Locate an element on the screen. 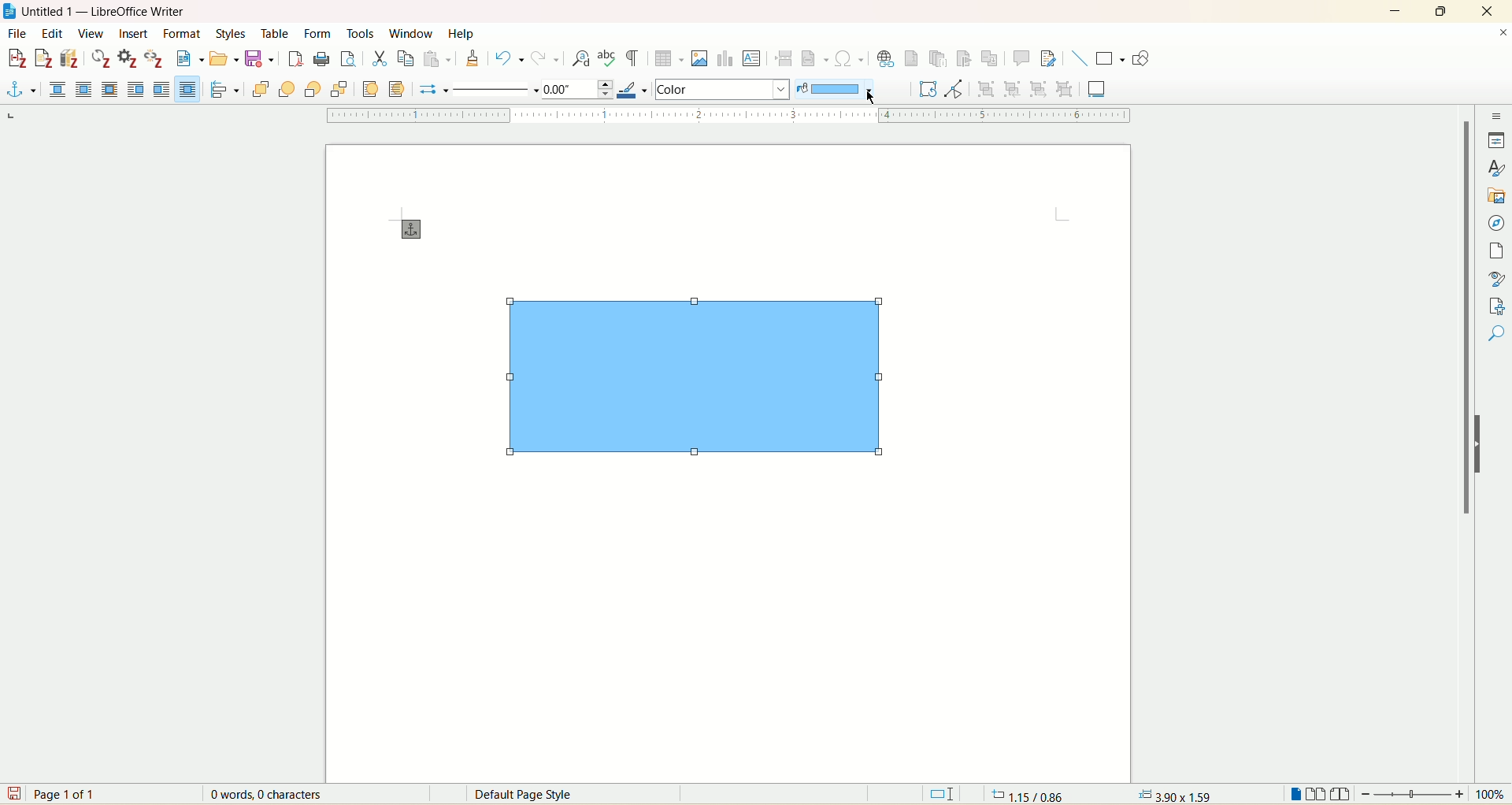 The image size is (1512, 805). insert cross referencing is located at coordinates (993, 61).